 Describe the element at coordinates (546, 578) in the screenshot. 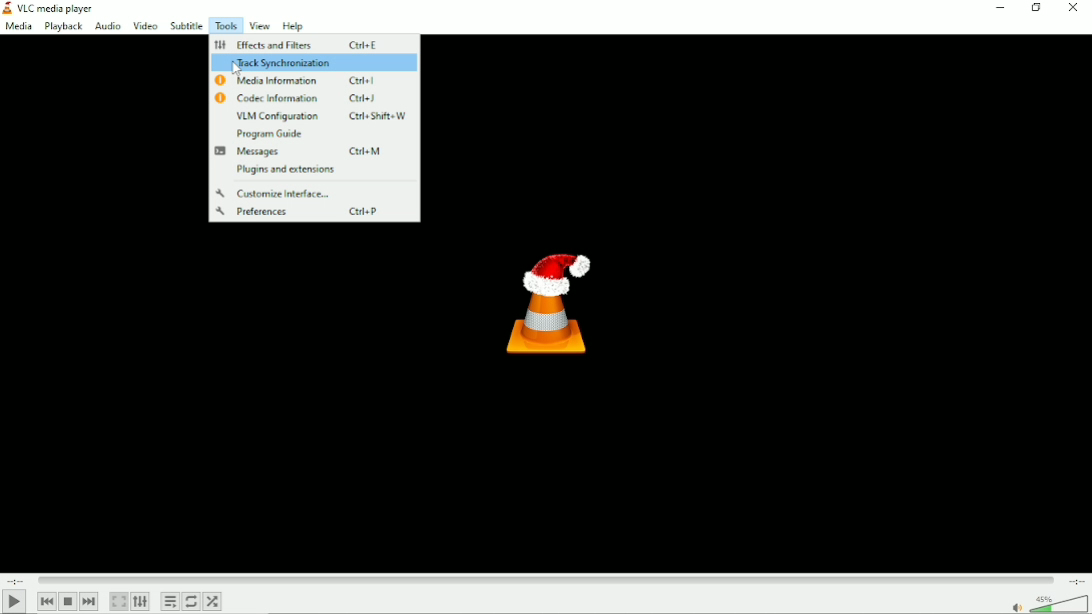

I see `Play duration` at that location.